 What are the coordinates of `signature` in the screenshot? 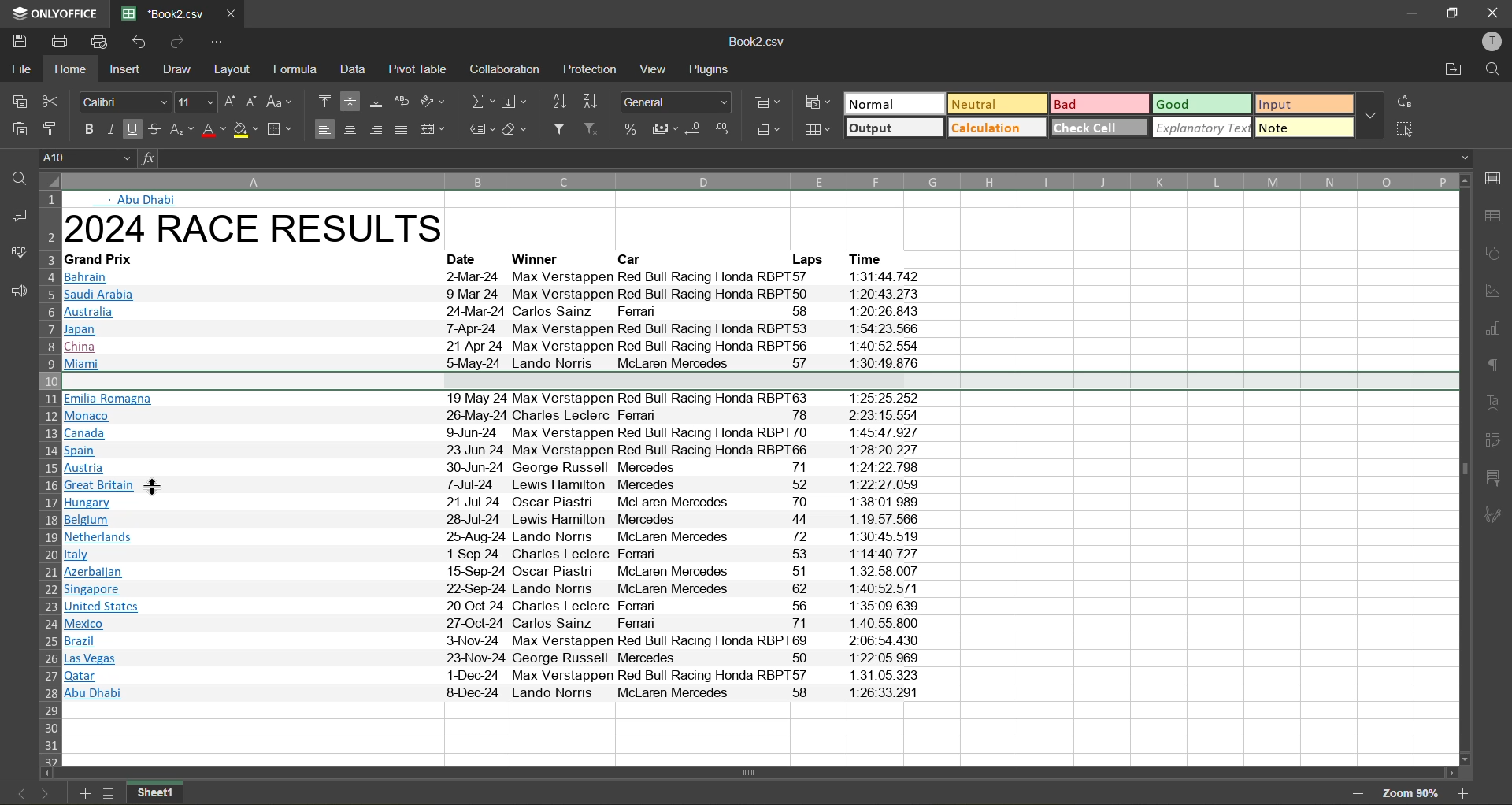 It's located at (1498, 517).